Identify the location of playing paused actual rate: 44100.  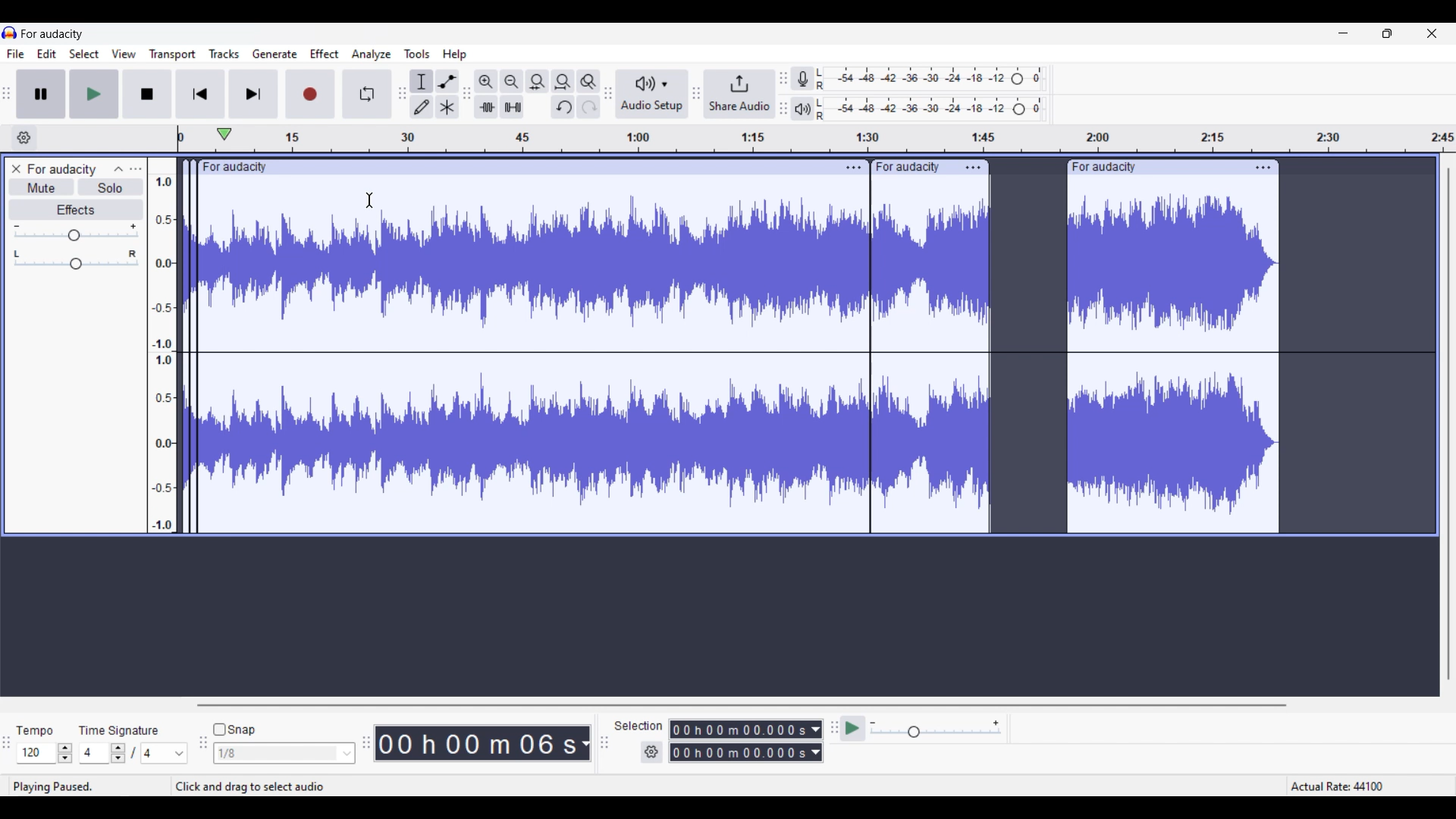
(721, 786).